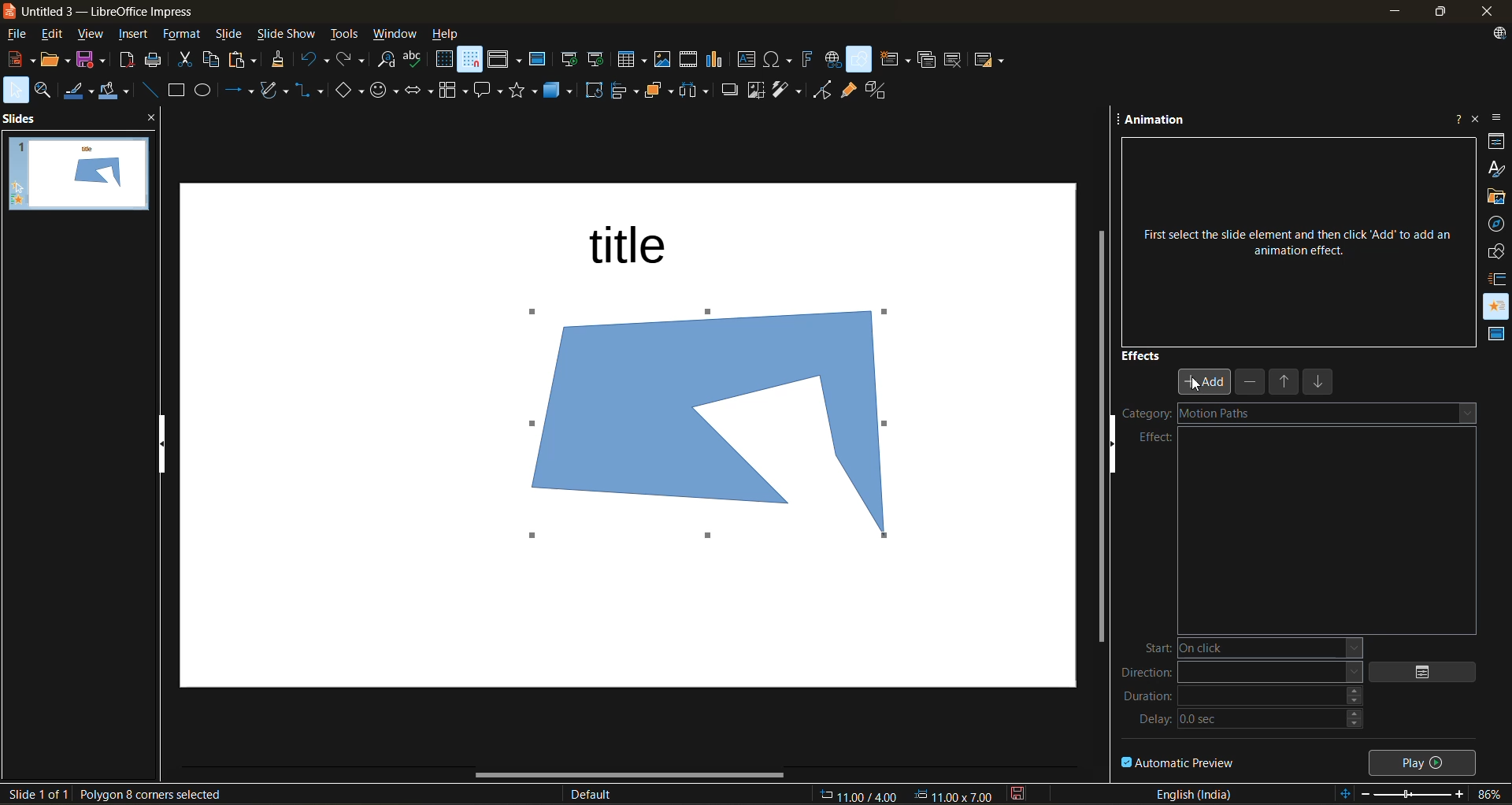  Describe the element at coordinates (848, 91) in the screenshot. I see `show gluepoint functions` at that location.